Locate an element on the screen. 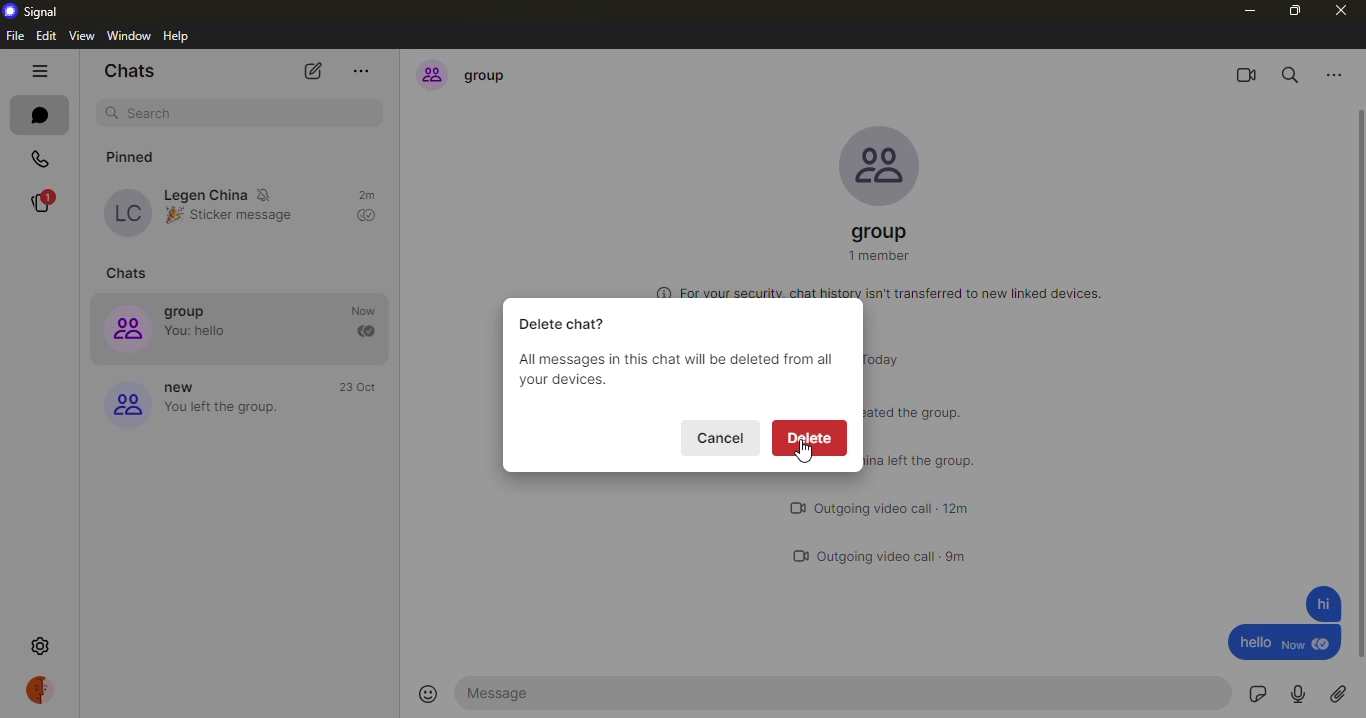 This screenshot has height=718, width=1366. sent is located at coordinates (367, 217).